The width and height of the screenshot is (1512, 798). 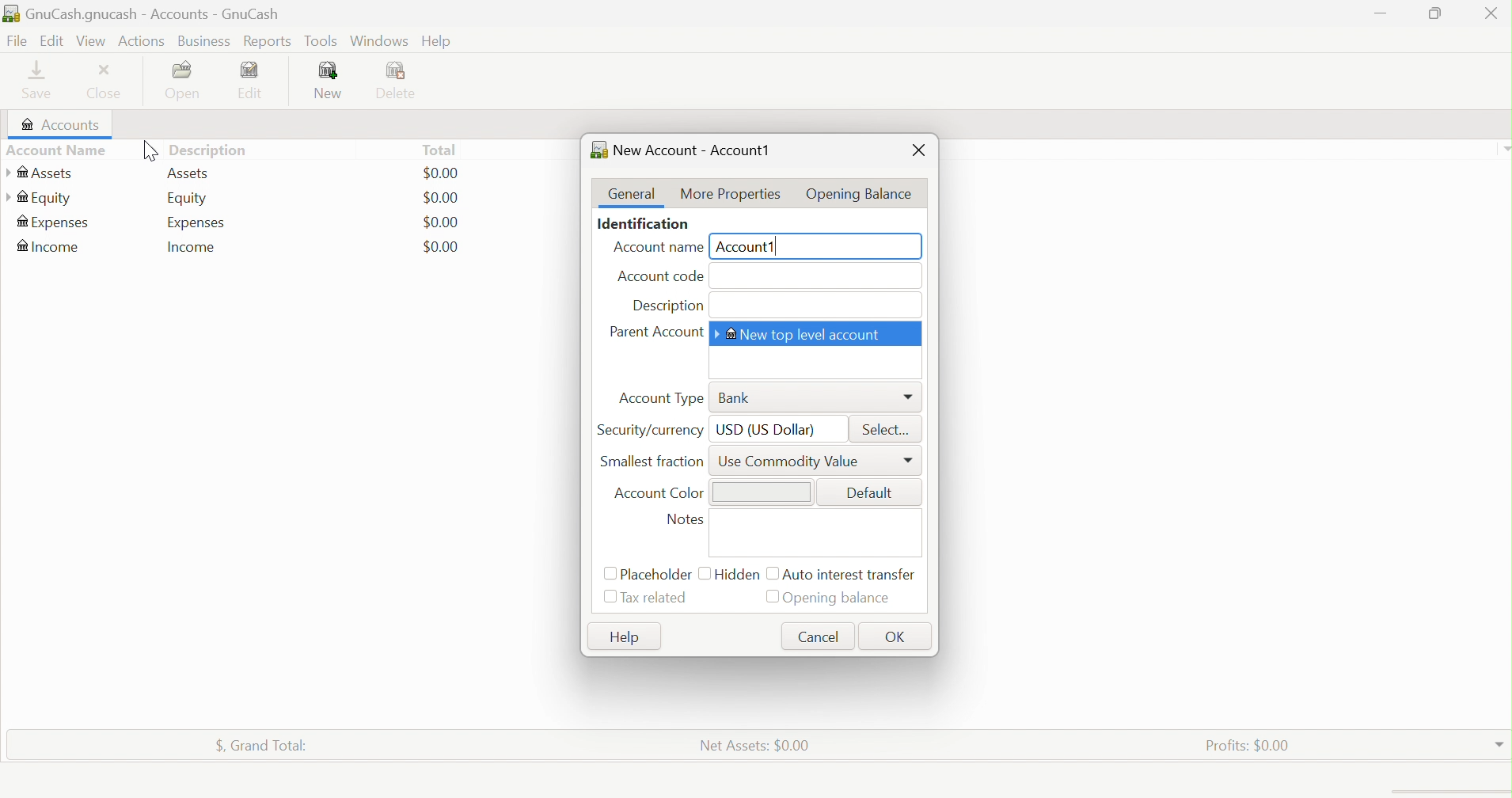 I want to click on Cursor, so click(x=146, y=152).